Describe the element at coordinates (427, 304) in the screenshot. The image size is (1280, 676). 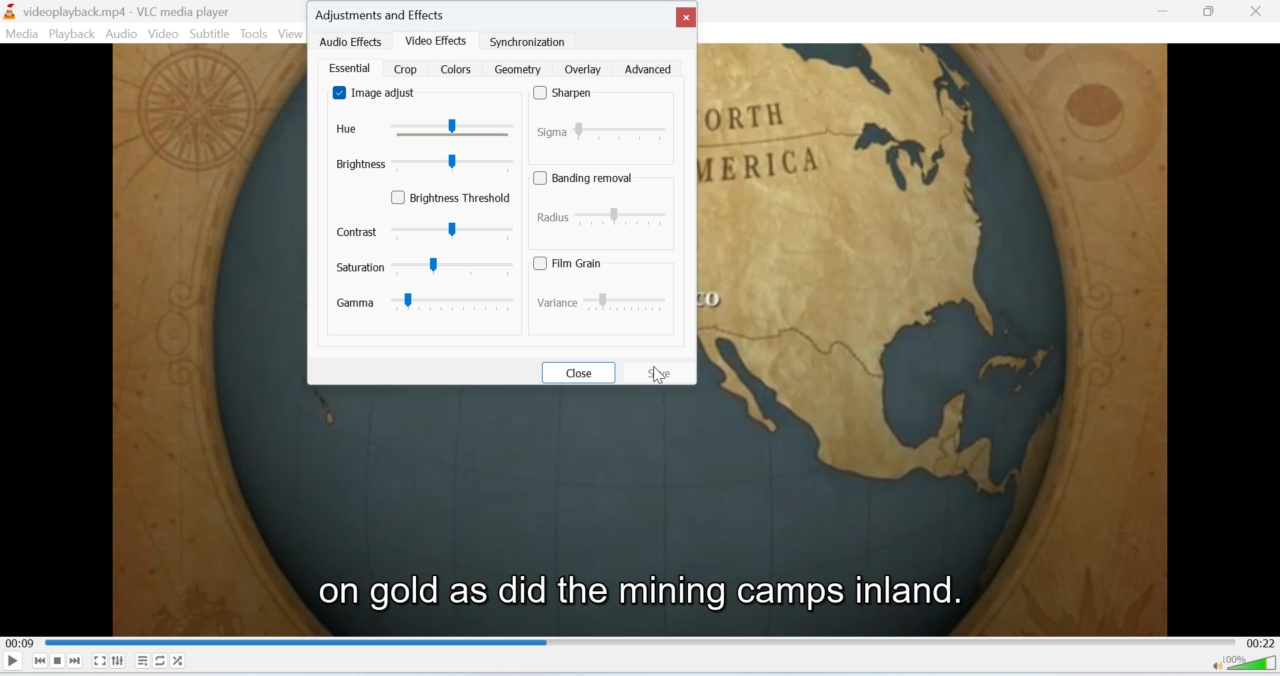
I see `Gamma` at that location.